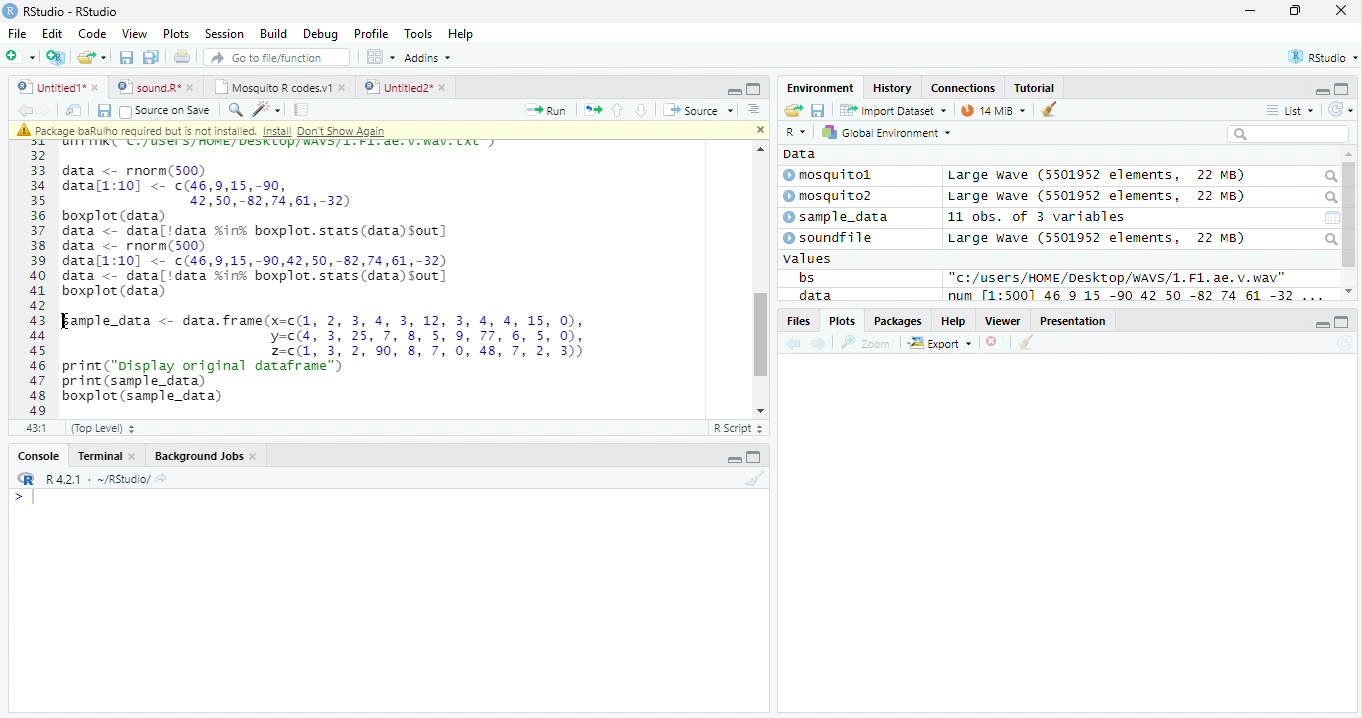 The height and width of the screenshot is (718, 1362). Describe the element at coordinates (996, 342) in the screenshot. I see `delete file` at that location.